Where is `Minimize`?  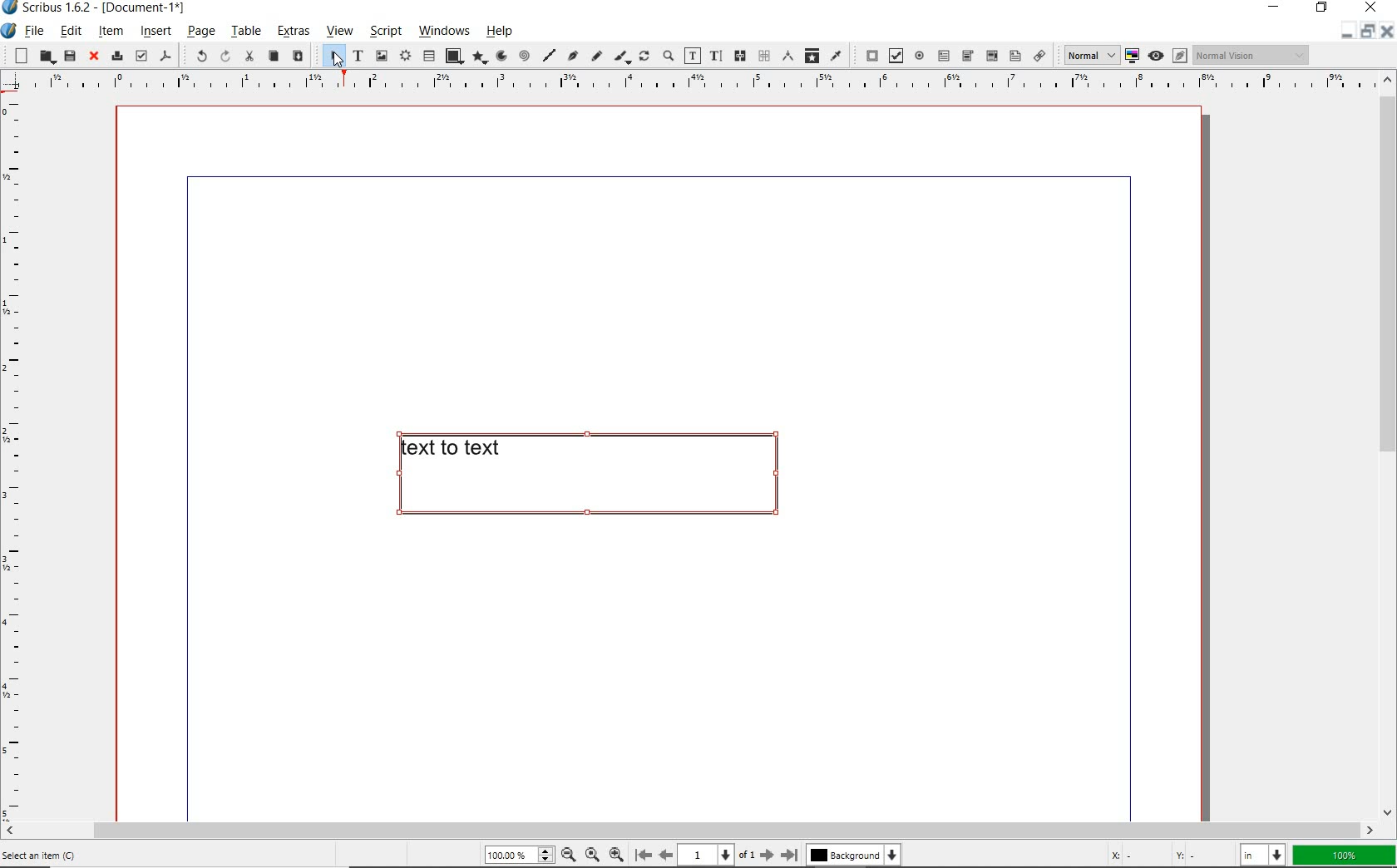
Minimize is located at coordinates (1366, 32).